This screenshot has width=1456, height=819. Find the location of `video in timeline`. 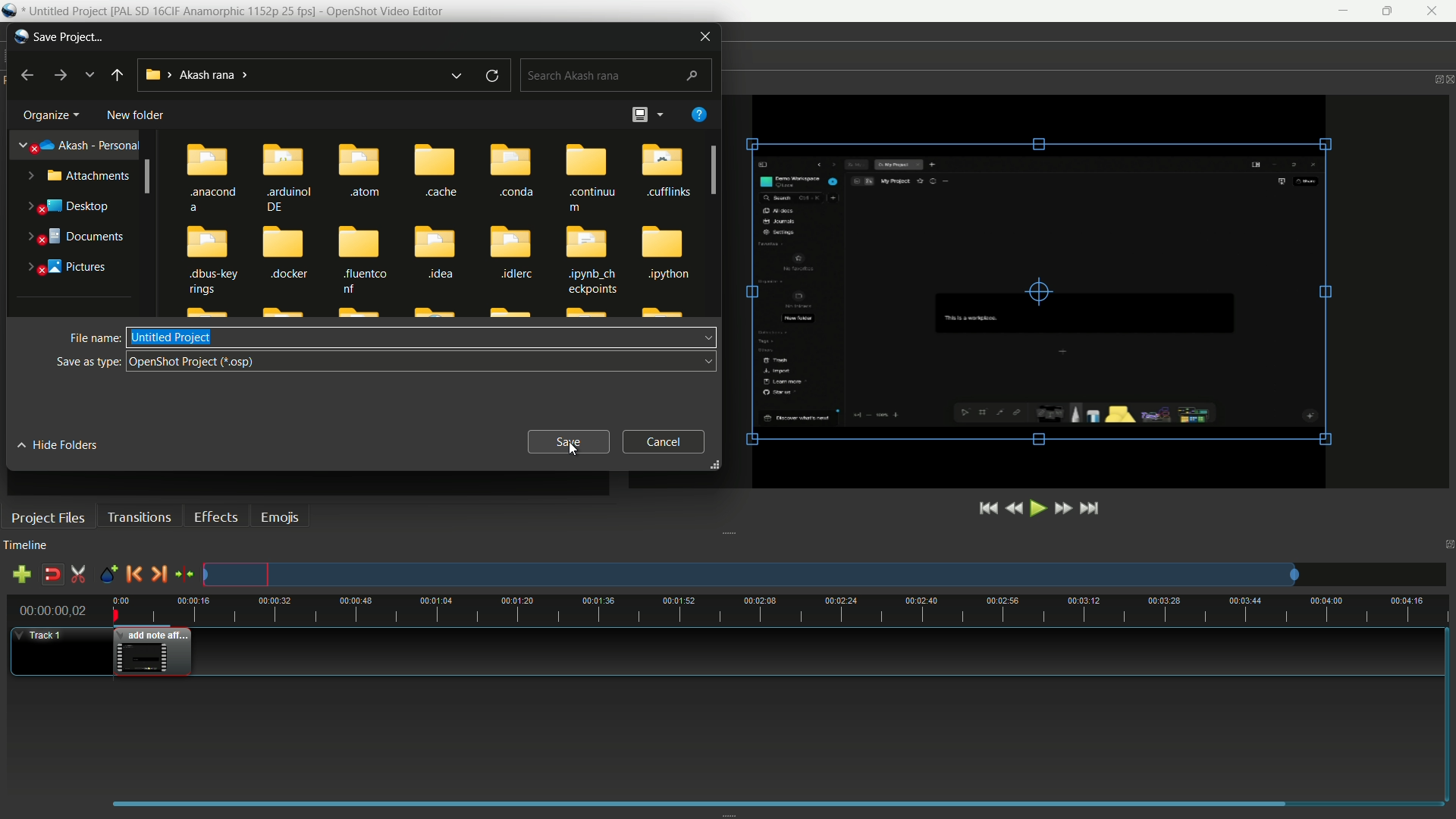

video in timeline is located at coordinates (153, 652).